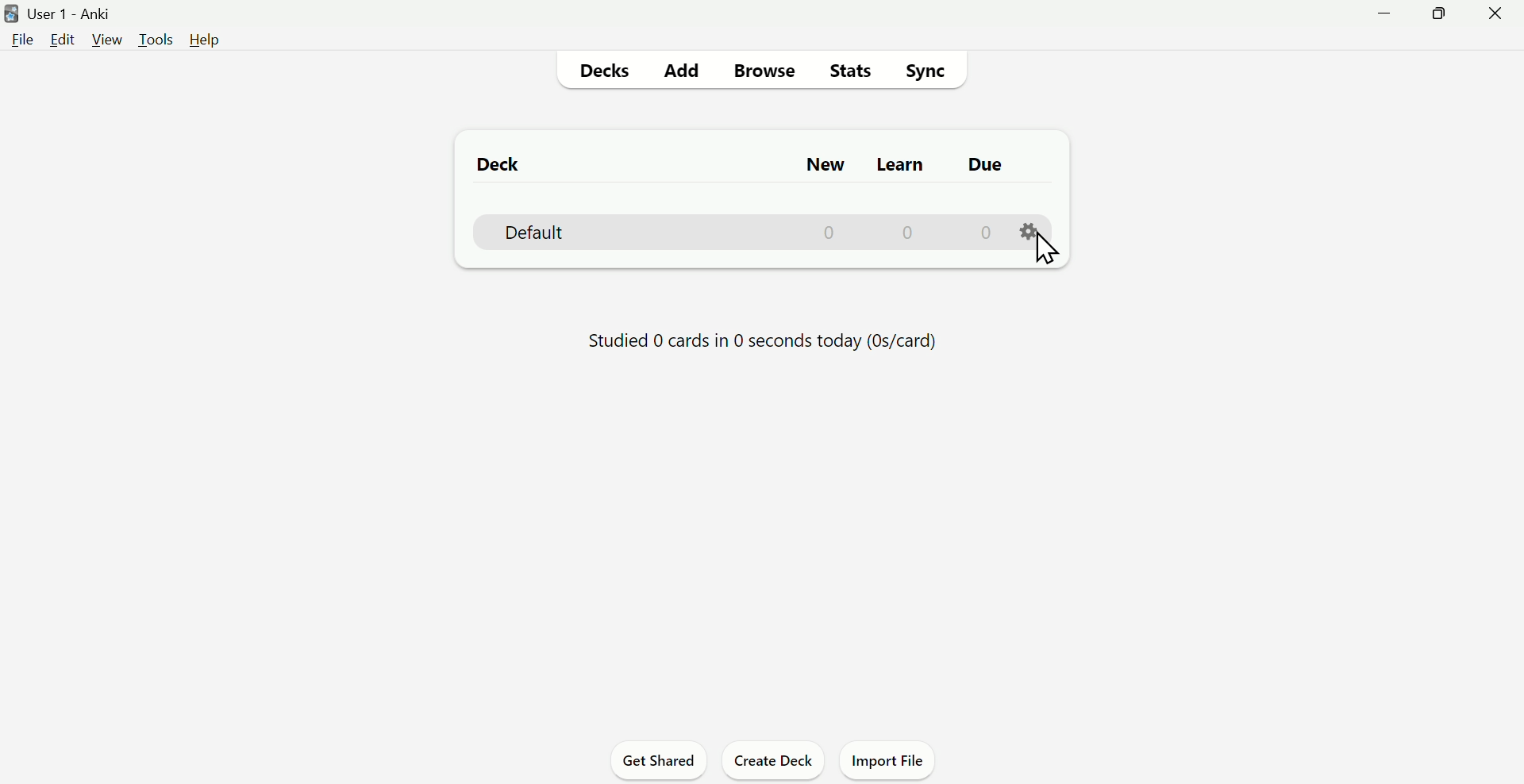 This screenshot has width=1524, height=784. Describe the element at coordinates (1439, 18) in the screenshot. I see `Maximize` at that location.